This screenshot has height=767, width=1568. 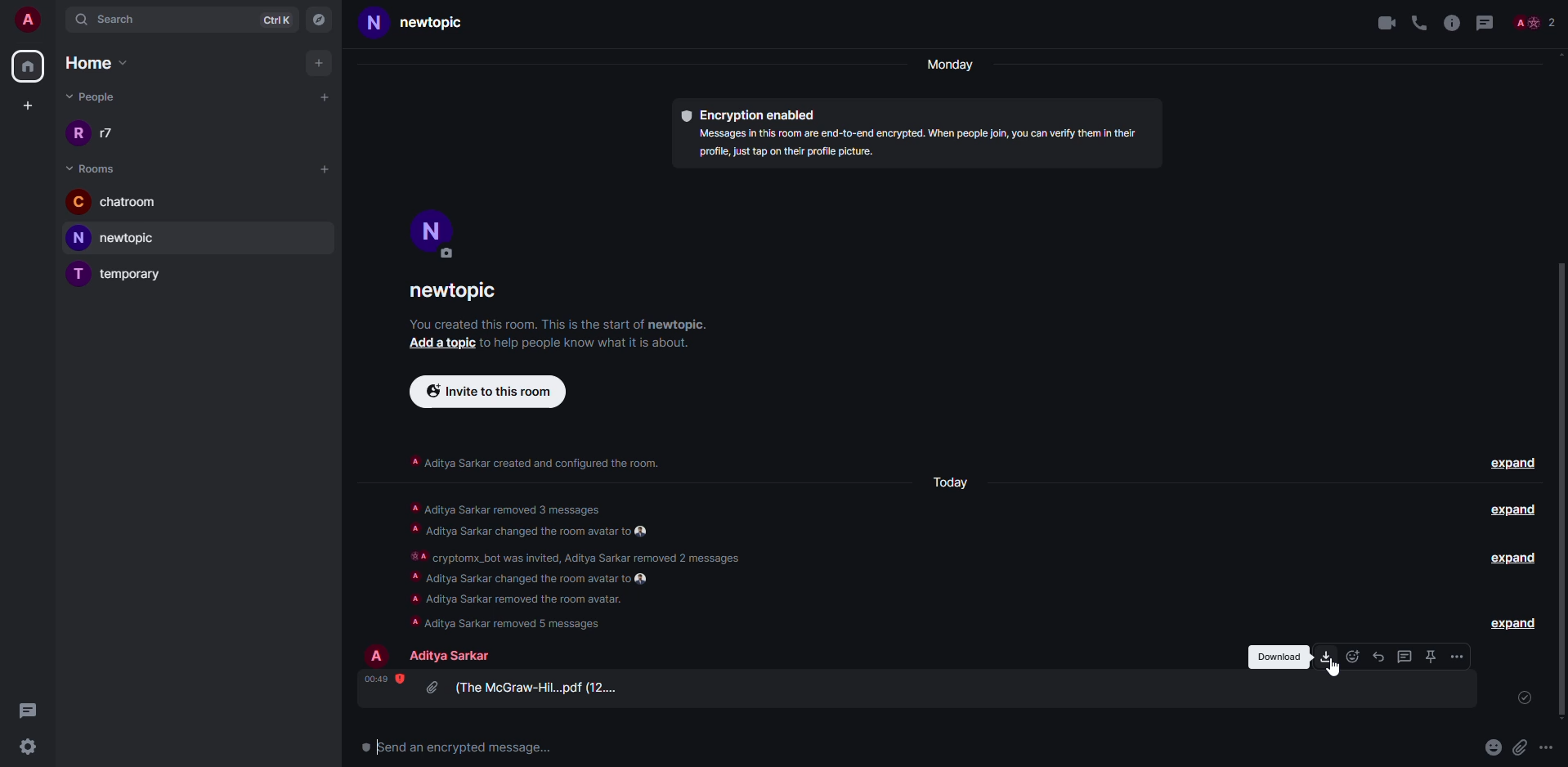 What do you see at coordinates (1487, 747) in the screenshot?
I see `attachment` at bounding box center [1487, 747].